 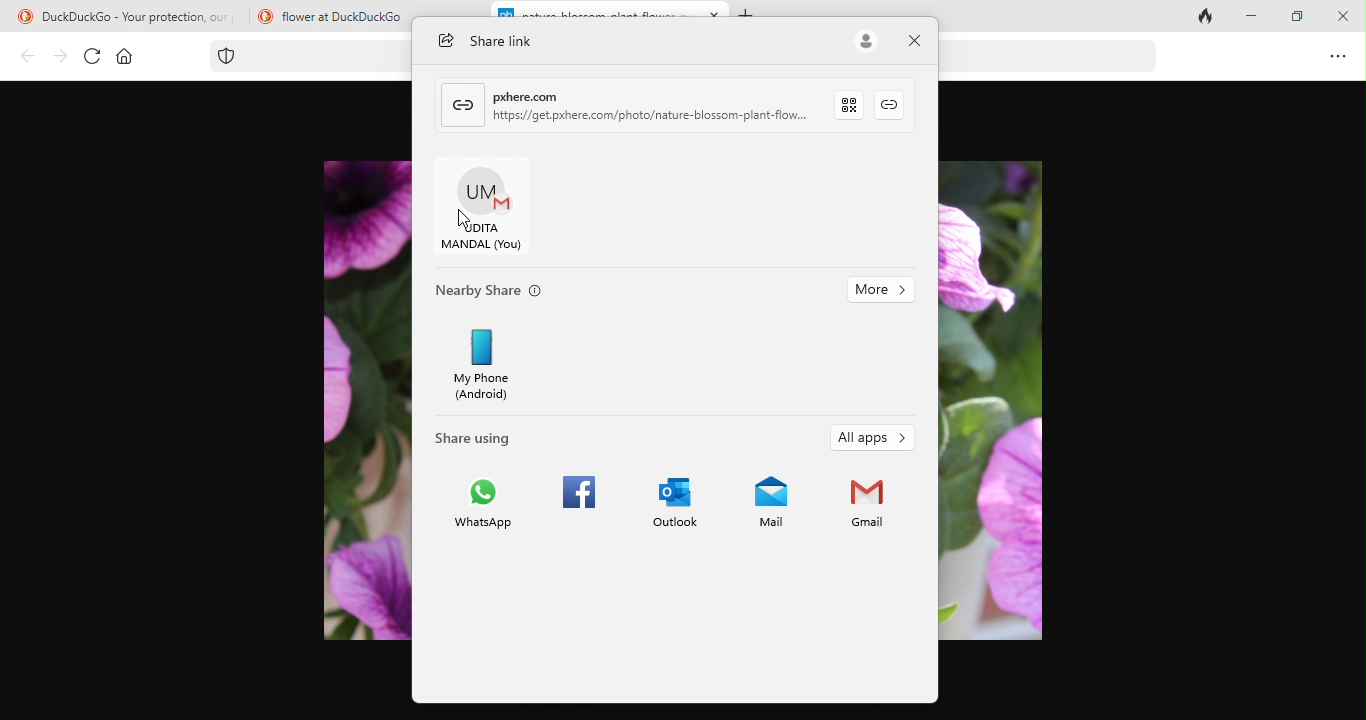 What do you see at coordinates (1339, 58) in the screenshot?
I see `option` at bounding box center [1339, 58].